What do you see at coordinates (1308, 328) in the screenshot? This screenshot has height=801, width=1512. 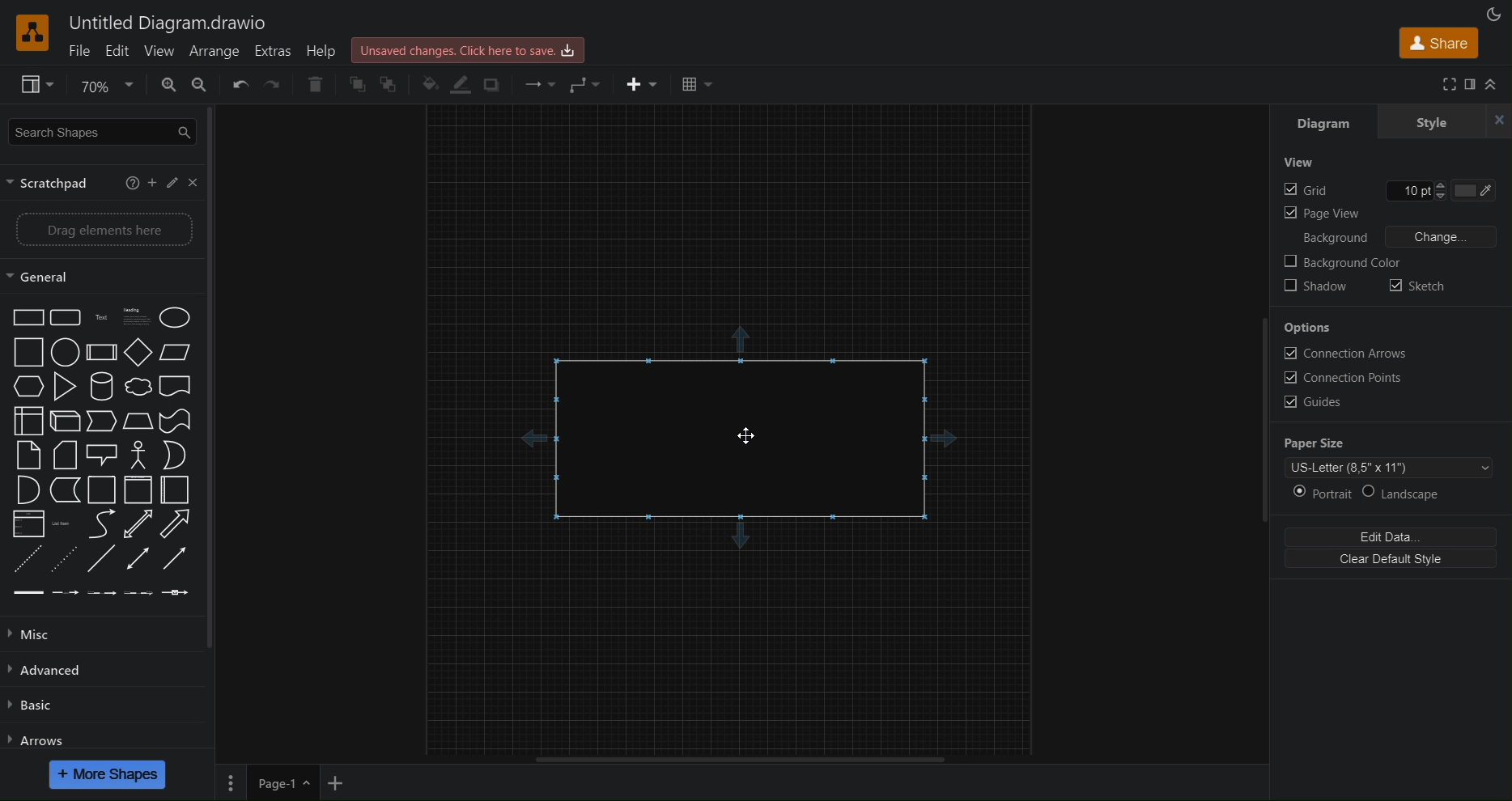 I see `Options` at bounding box center [1308, 328].